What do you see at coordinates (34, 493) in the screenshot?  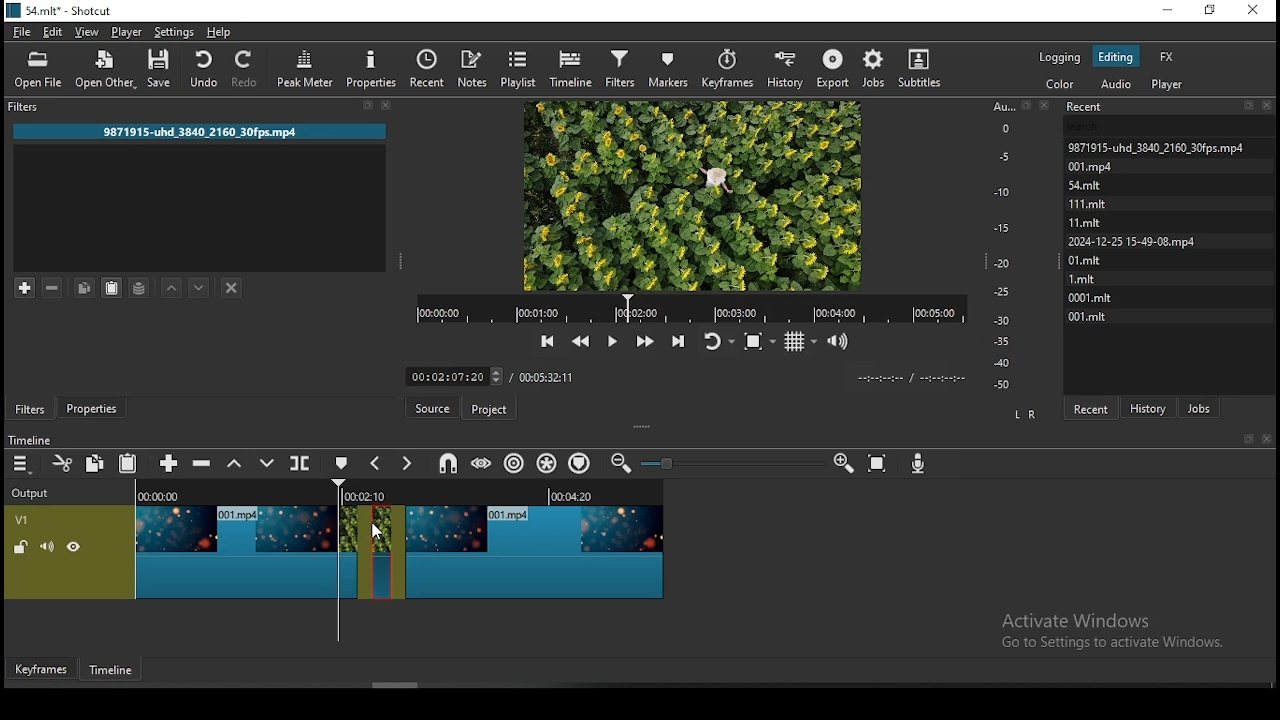 I see `Output` at bounding box center [34, 493].